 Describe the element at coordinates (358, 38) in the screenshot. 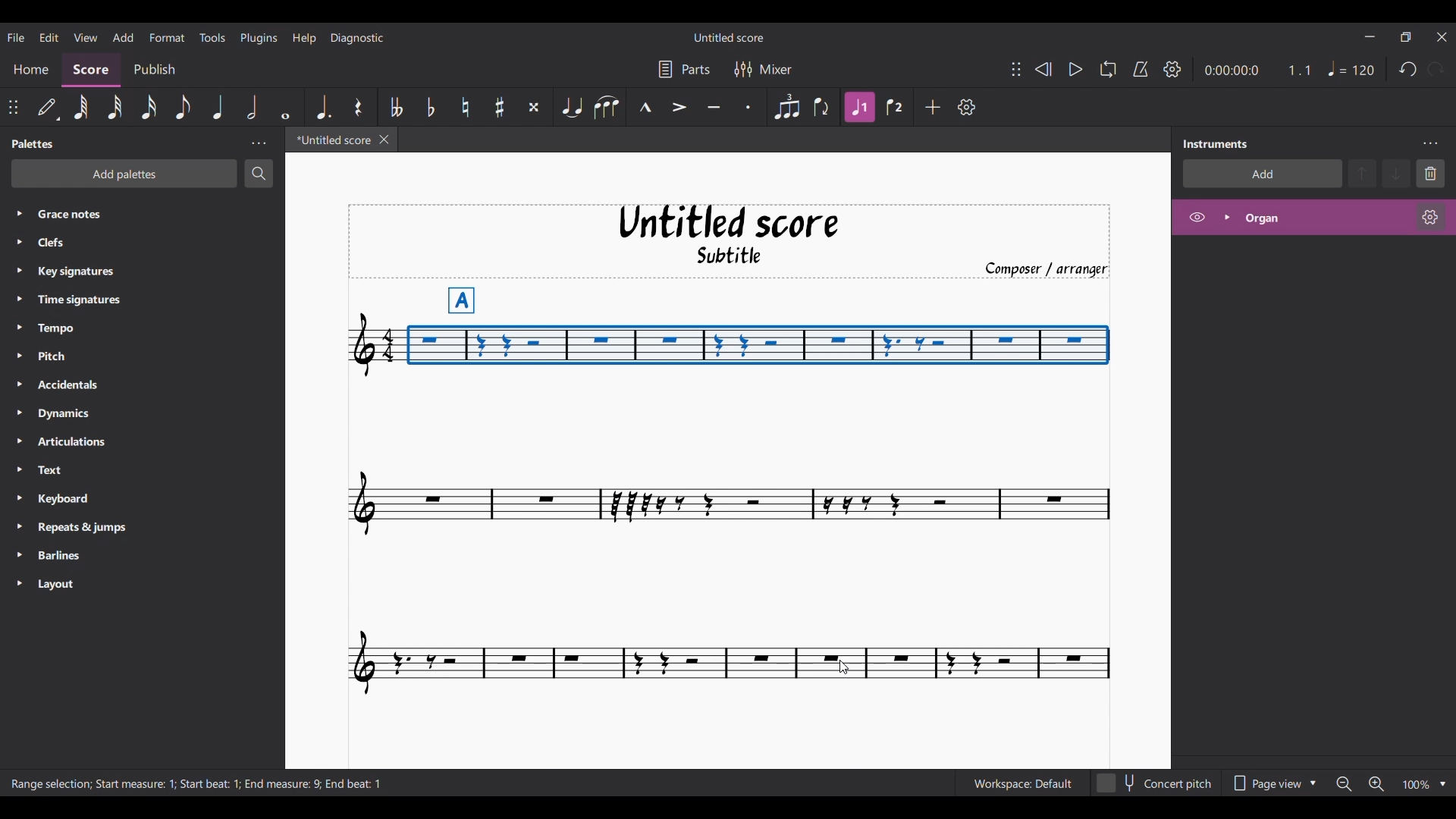

I see `Diagnostic menu` at that location.